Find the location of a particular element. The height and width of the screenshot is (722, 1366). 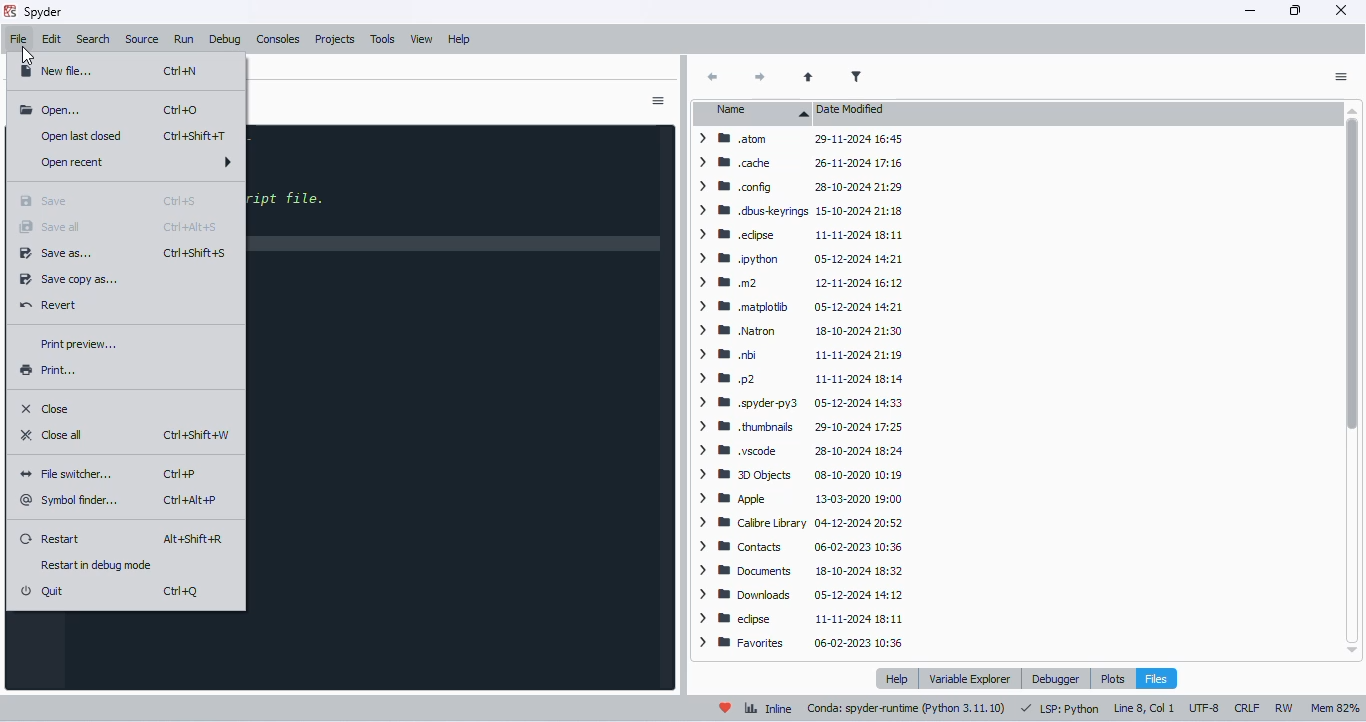

save copy as is located at coordinates (69, 281).